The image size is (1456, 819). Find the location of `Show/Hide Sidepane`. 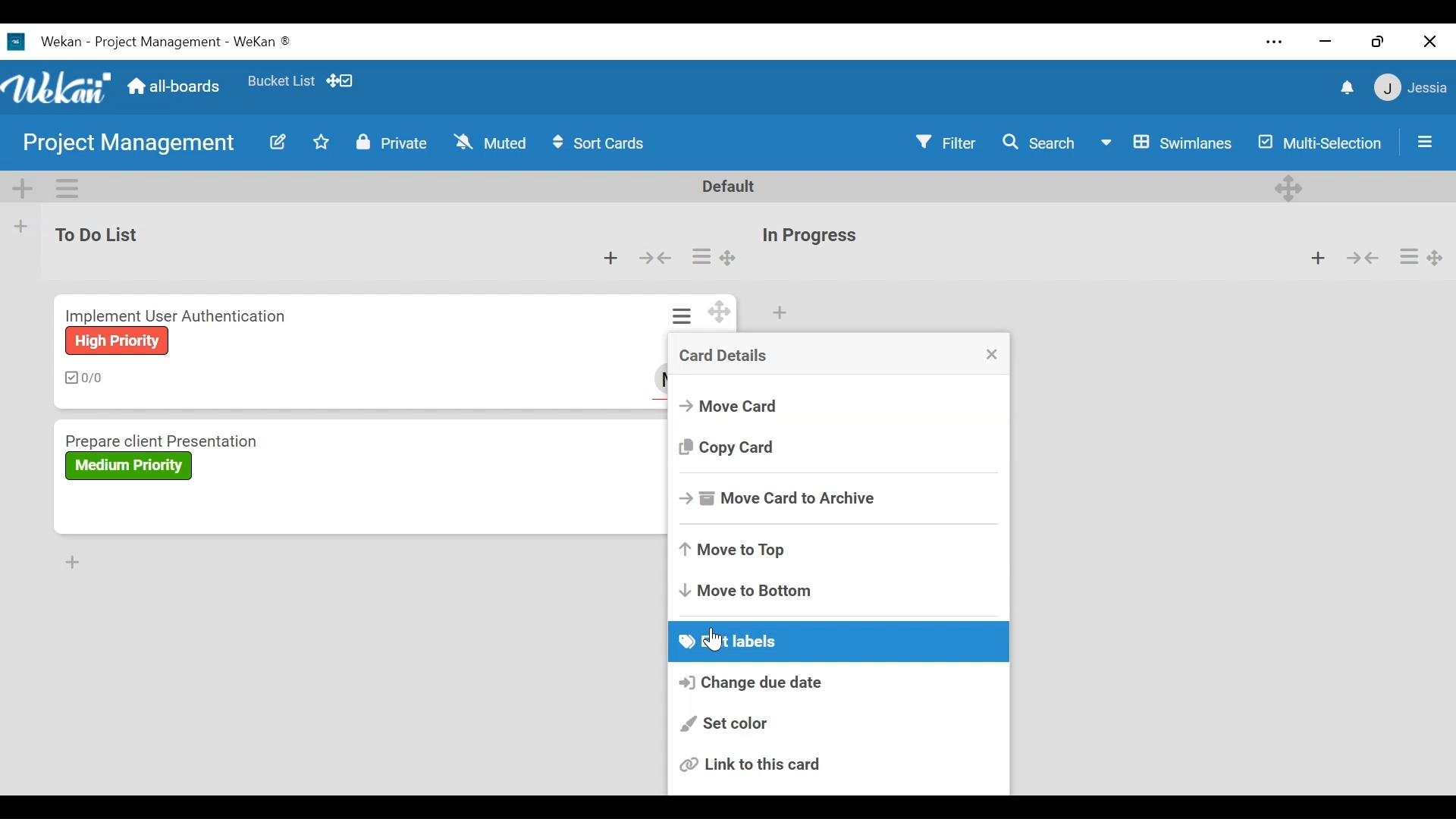

Show/Hide Sidepane is located at coordinates (1426, 140).